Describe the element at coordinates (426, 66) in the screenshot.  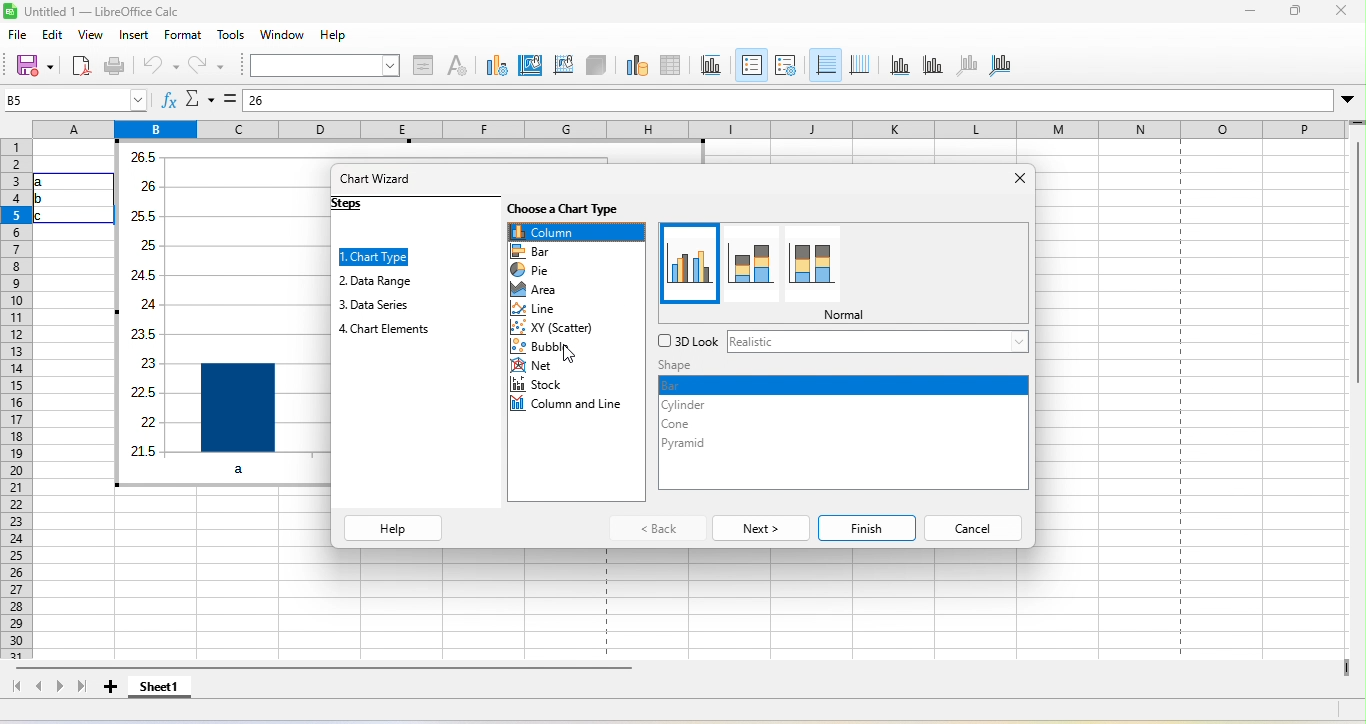
I see `format selection` at that location.